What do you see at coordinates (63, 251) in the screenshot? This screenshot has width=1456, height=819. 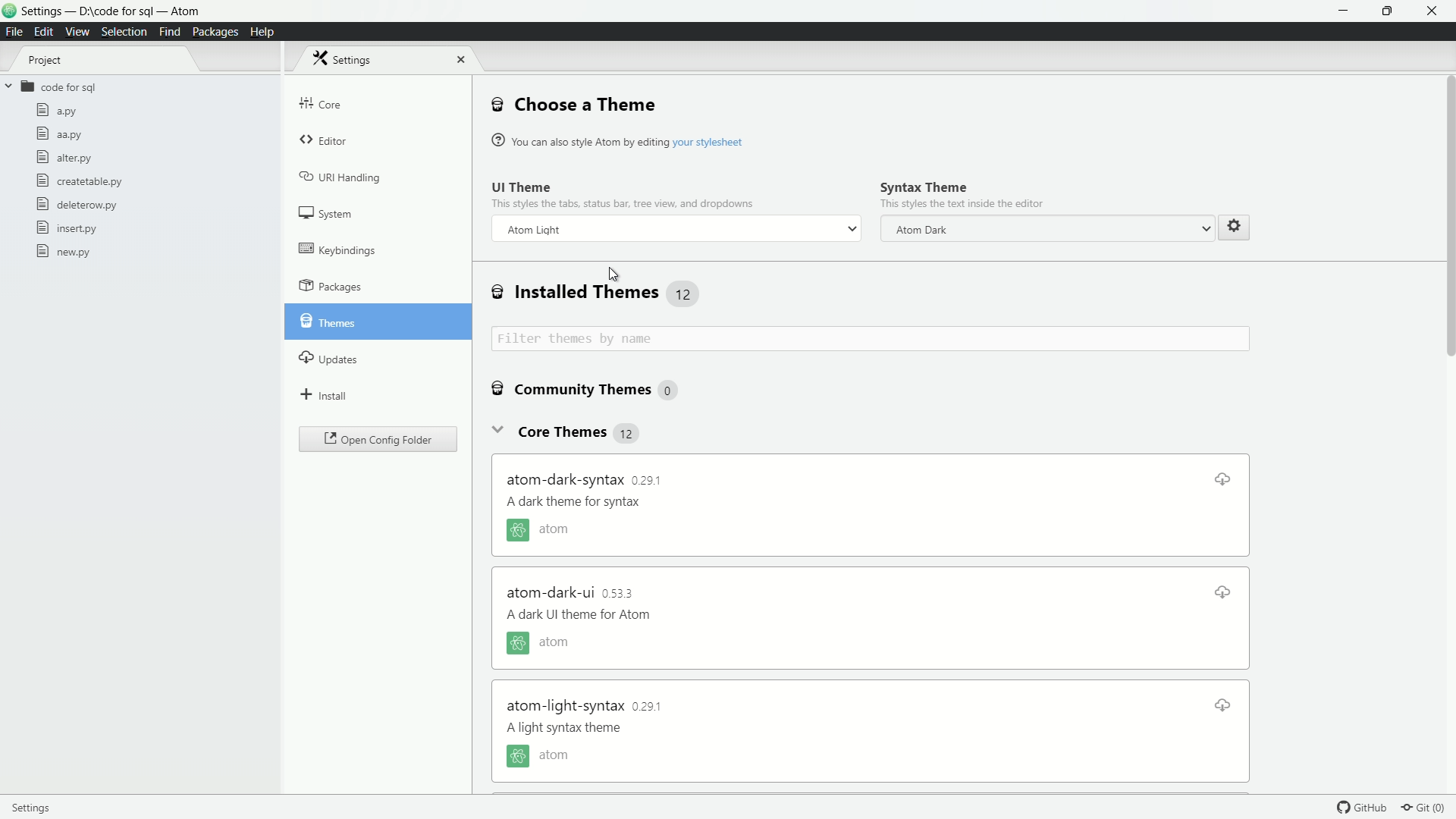 I see `new.py file` at bounding box center [63, 251].